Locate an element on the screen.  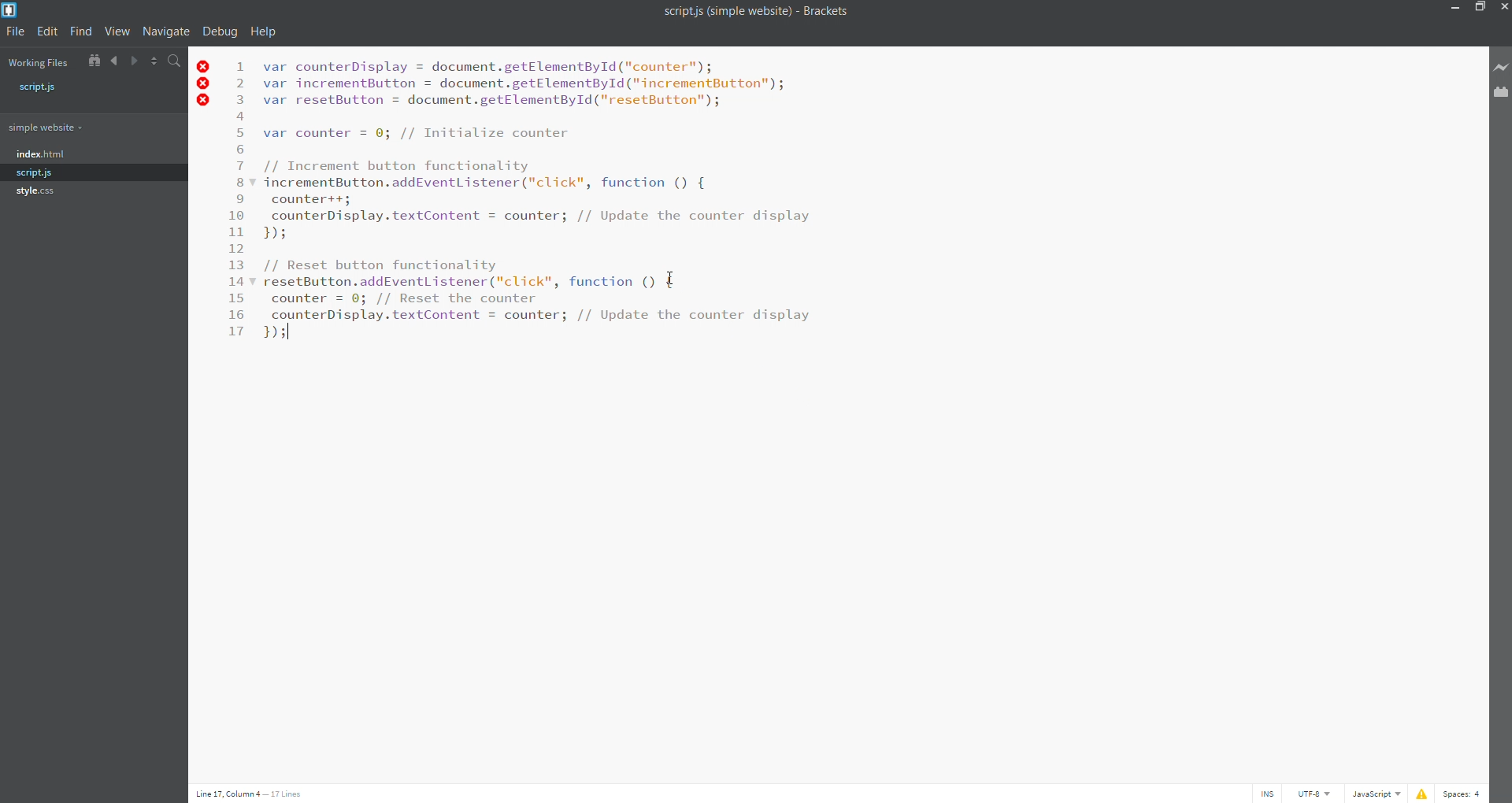
navigate backward is located at coordinates (113, 59).